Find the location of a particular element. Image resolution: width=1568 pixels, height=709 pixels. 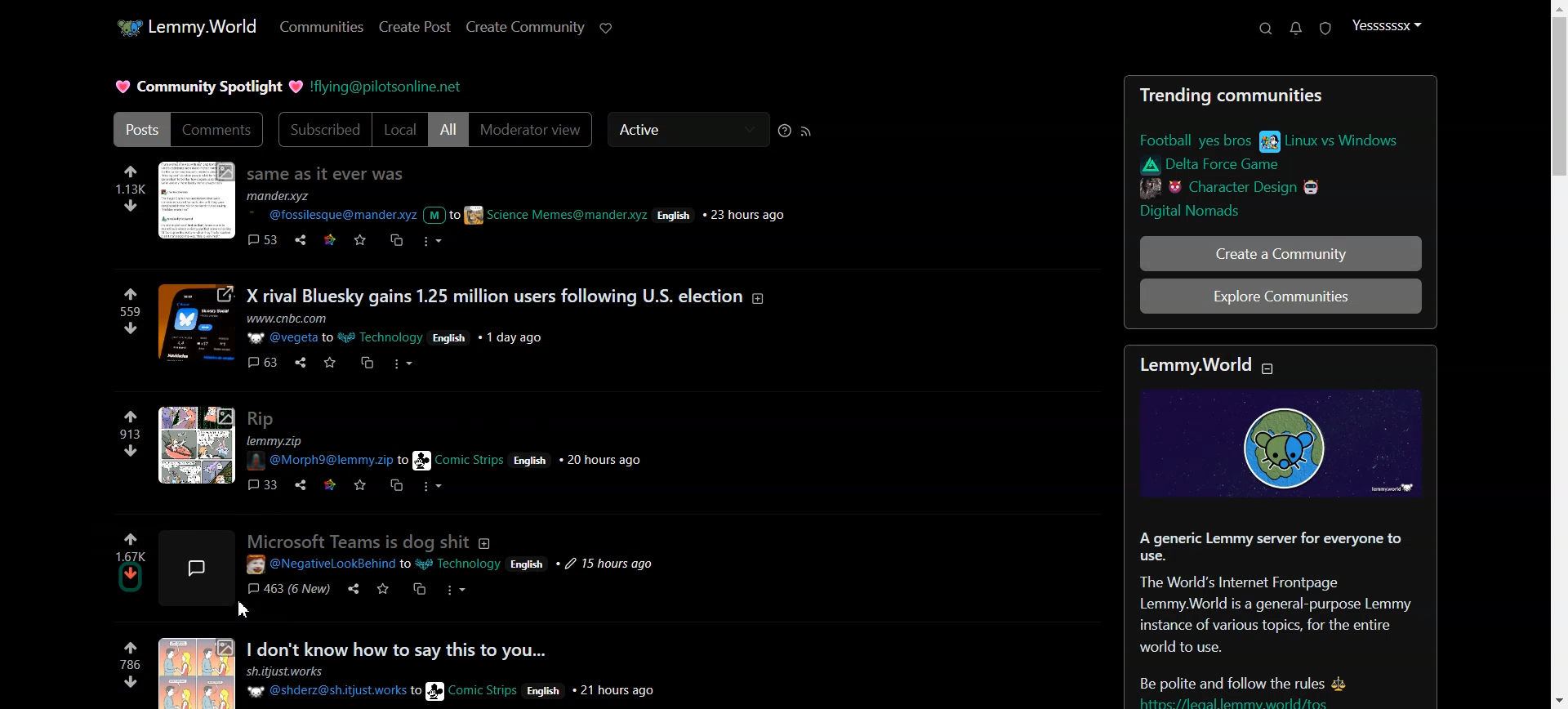

Scroll bar is located at coordinates (1555, 354).